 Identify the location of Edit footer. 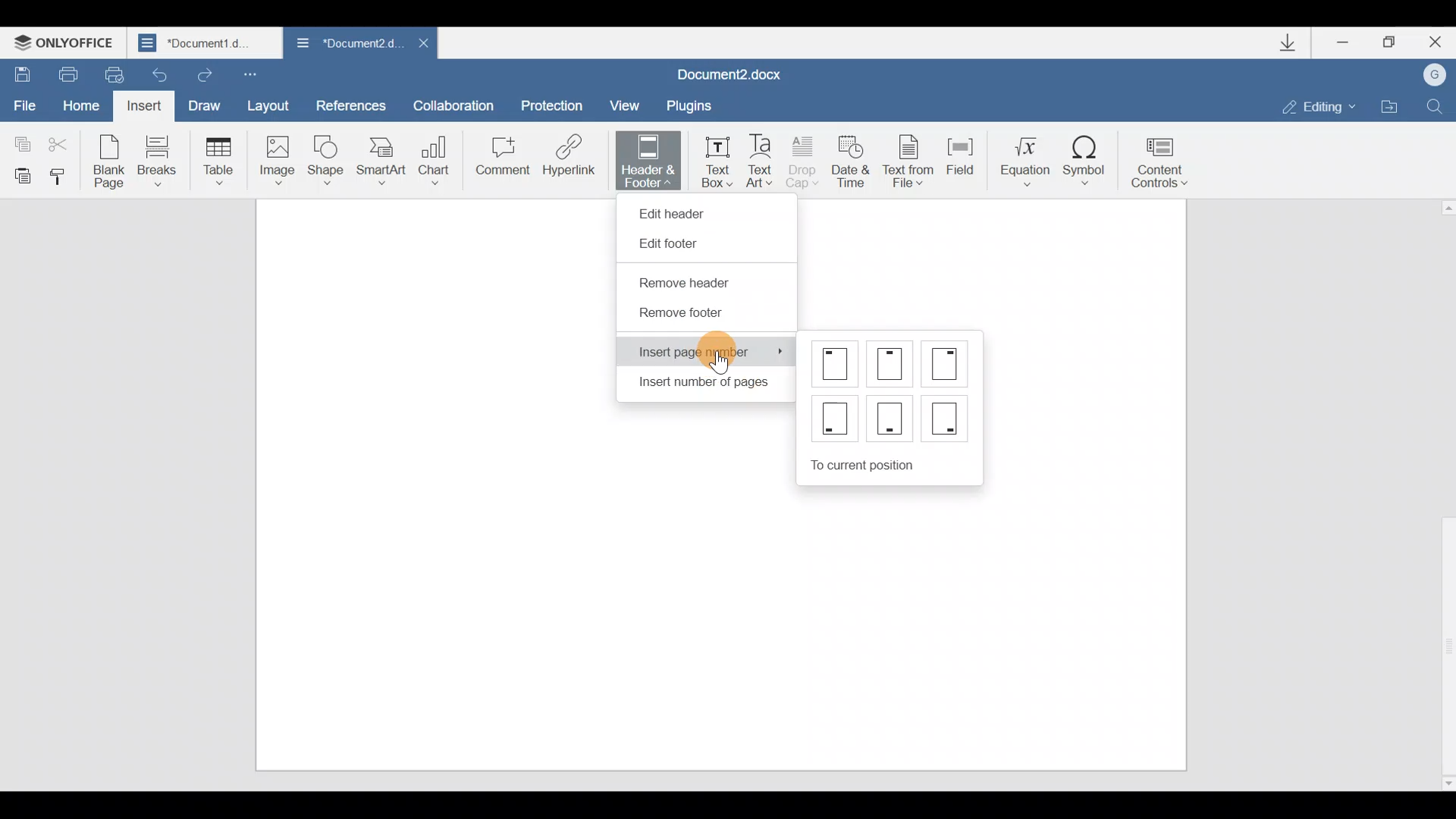
(677, 244).